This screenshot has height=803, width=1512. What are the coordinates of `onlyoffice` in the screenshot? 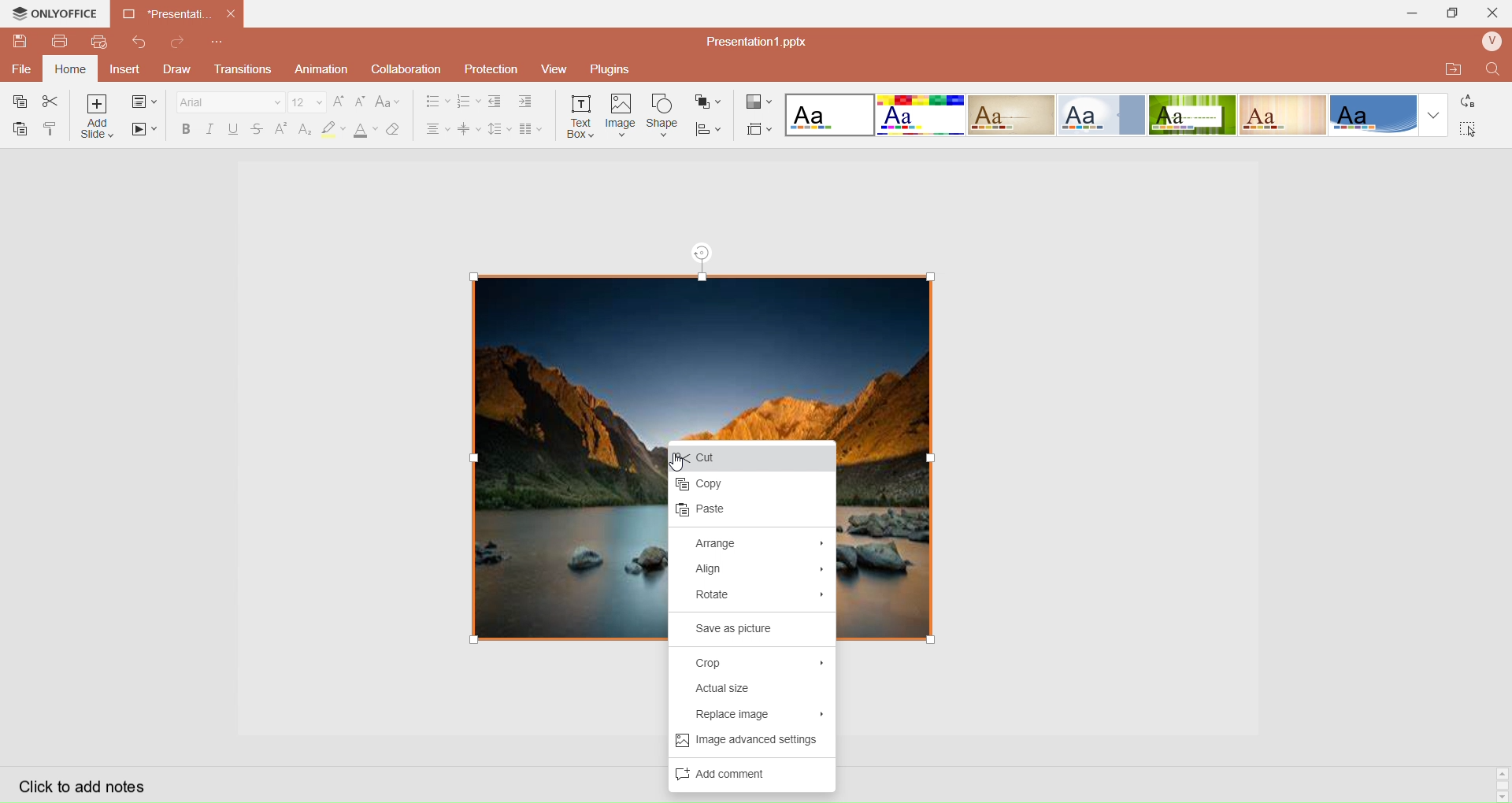 It's located at (69, 12).